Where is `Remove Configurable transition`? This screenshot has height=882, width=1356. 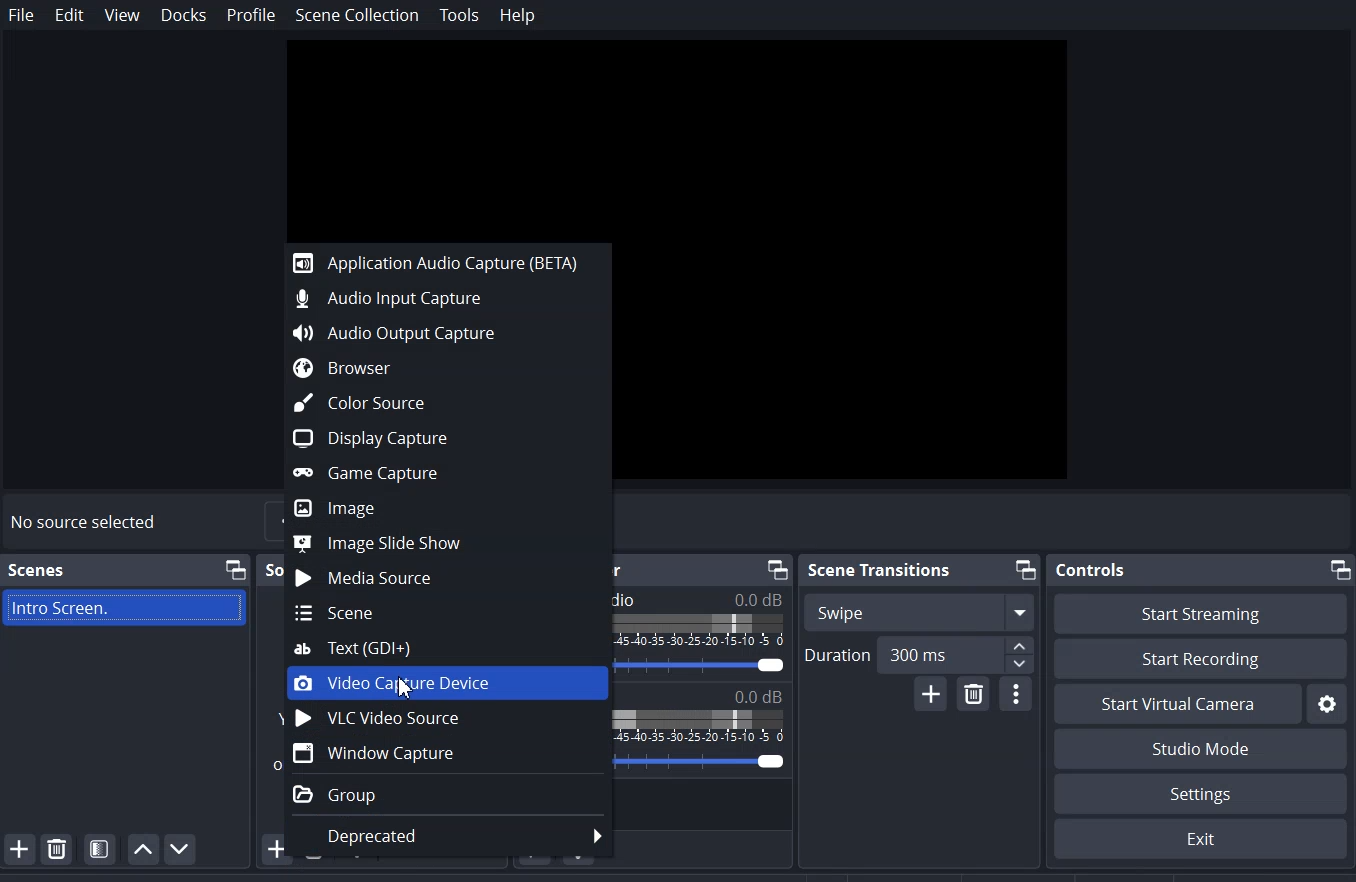 Remove Configurable transition is located at coordinates (975, 695).